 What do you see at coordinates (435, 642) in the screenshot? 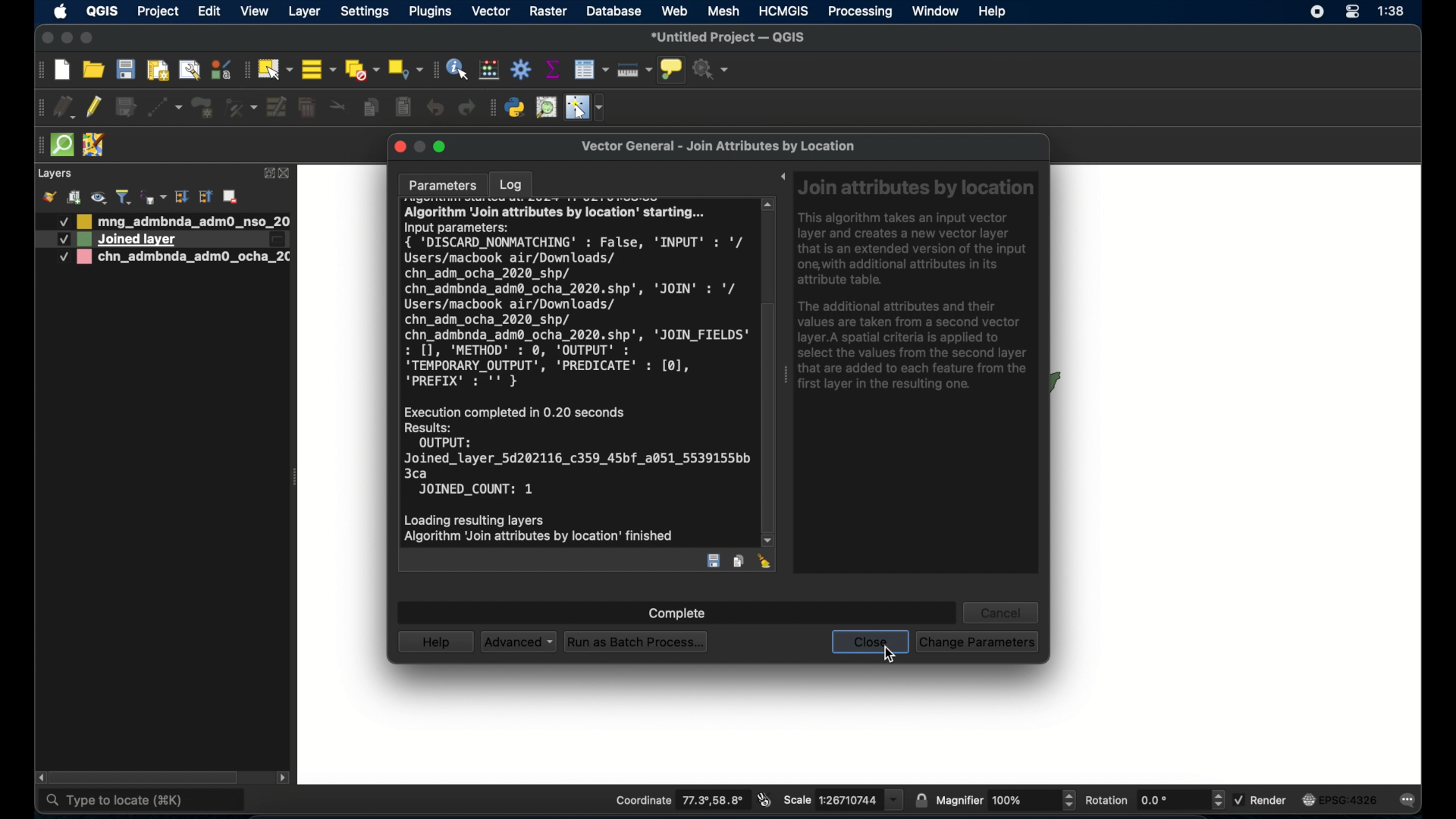
I see `help` at bounding box center [435, 642].